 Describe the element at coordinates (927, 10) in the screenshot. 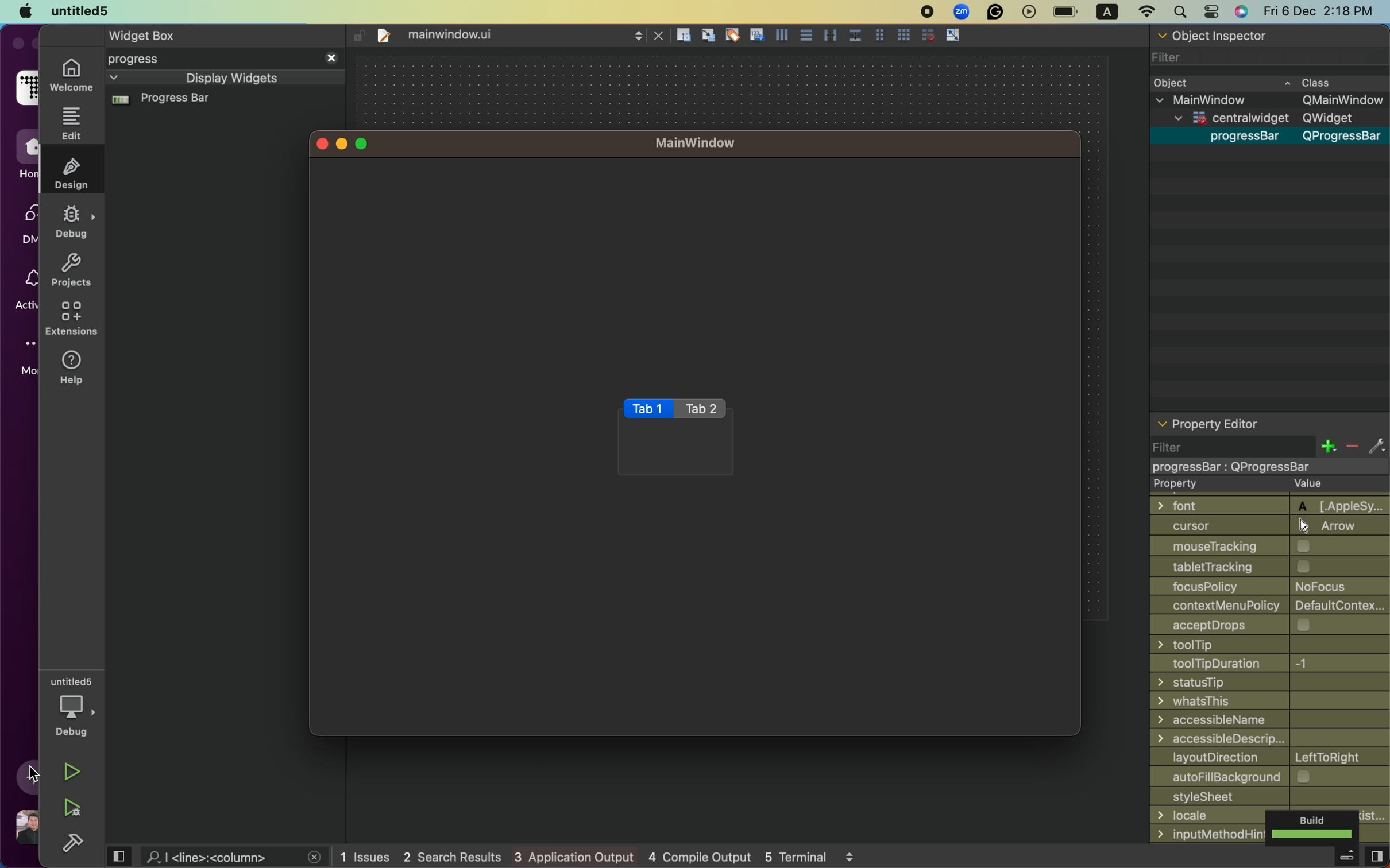

I see `record` at that location.